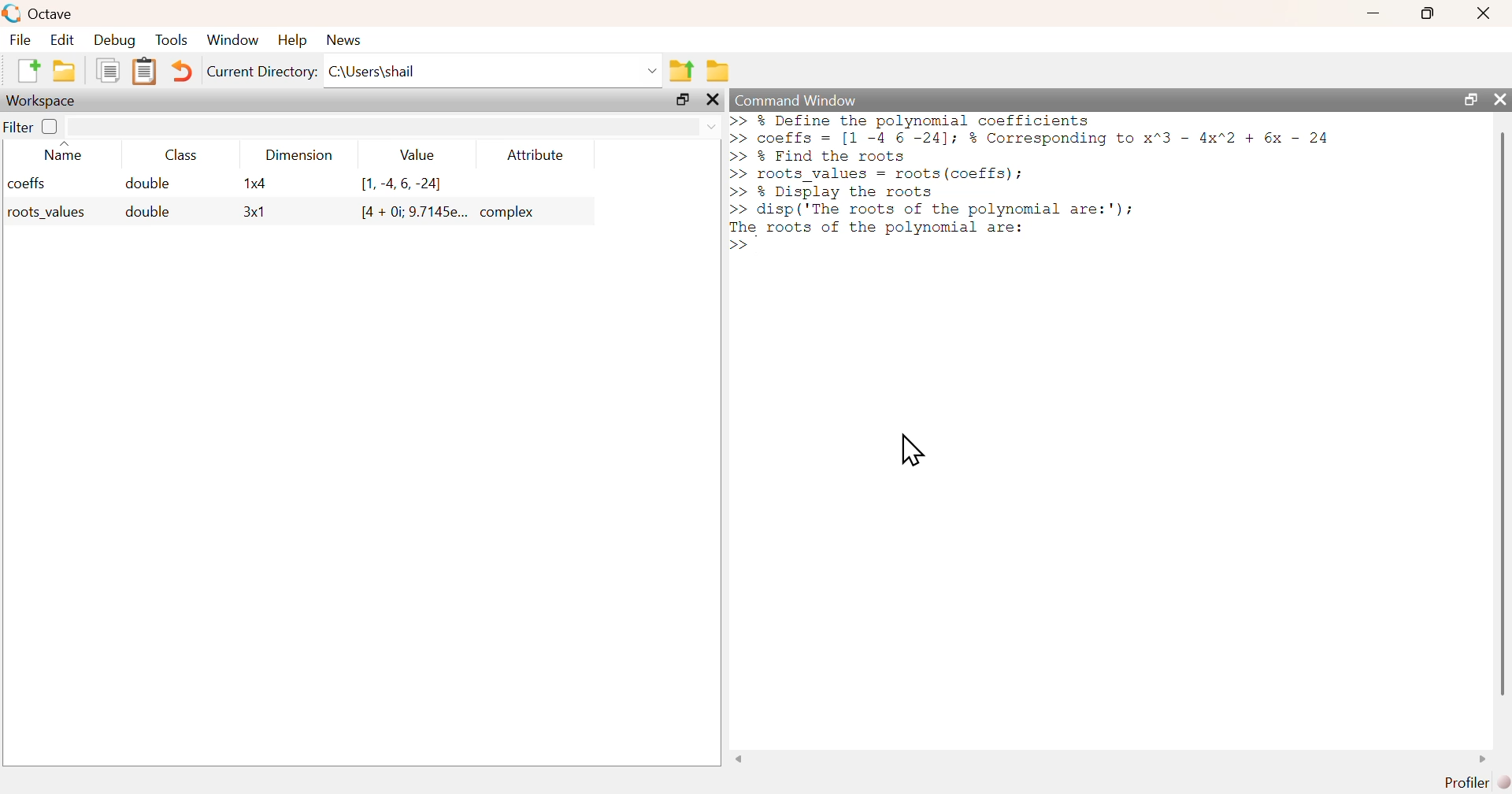  I want to click on [4 + 0i; 9.7145e..., so click(413, 212).